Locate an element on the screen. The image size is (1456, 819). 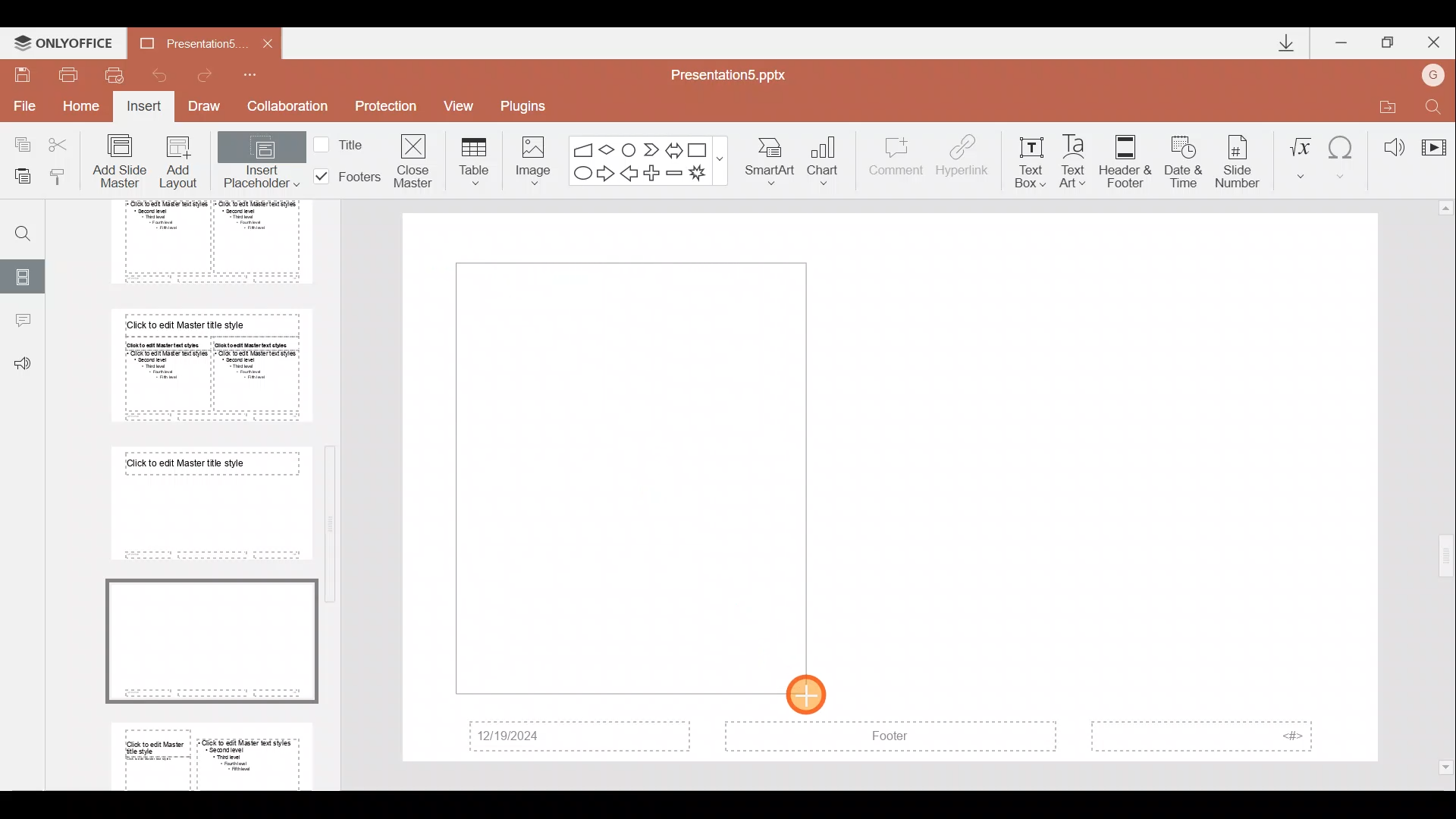
Open file location is located at coordinates (1384, 104).